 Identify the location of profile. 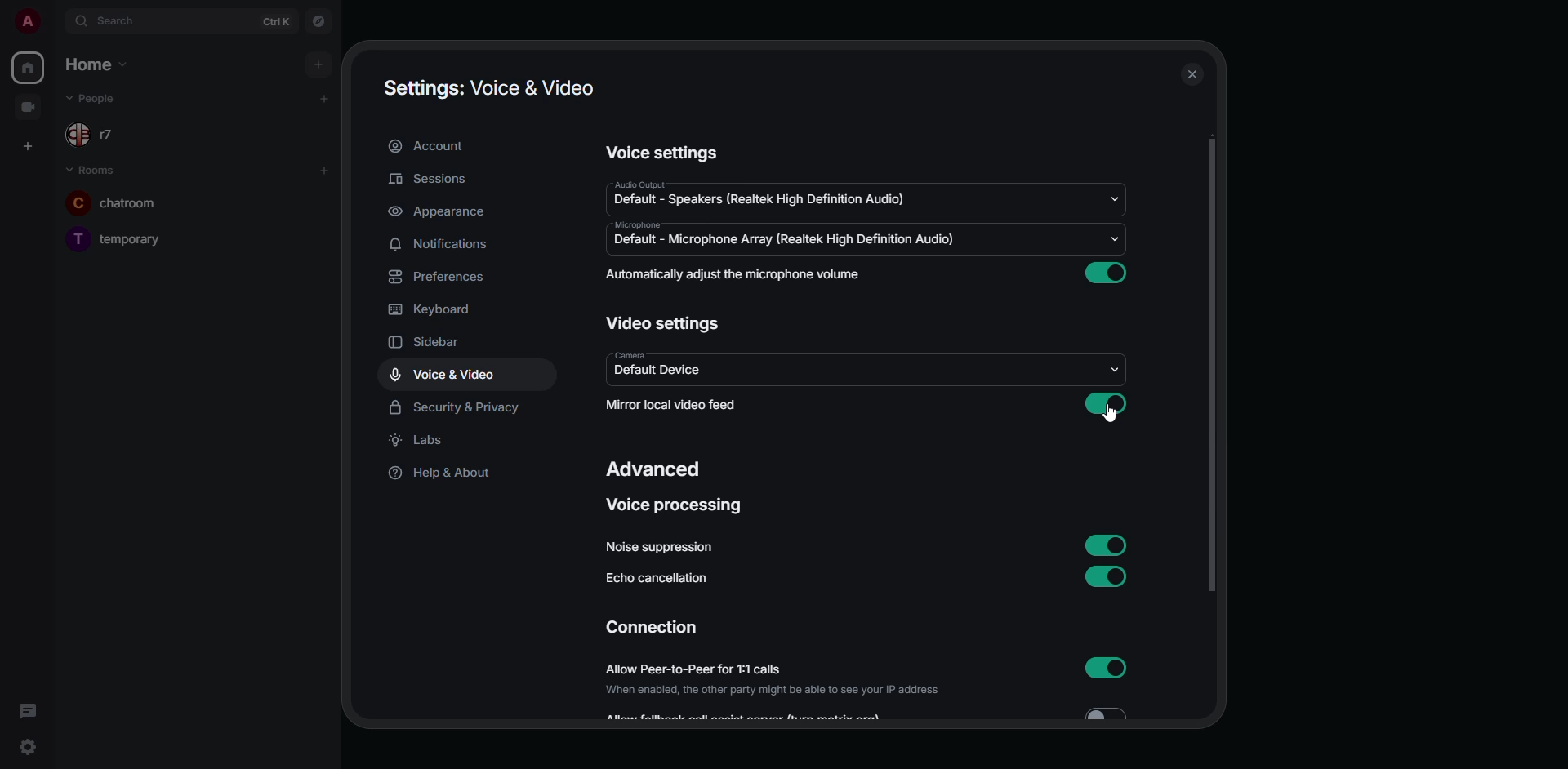
(25, 21).